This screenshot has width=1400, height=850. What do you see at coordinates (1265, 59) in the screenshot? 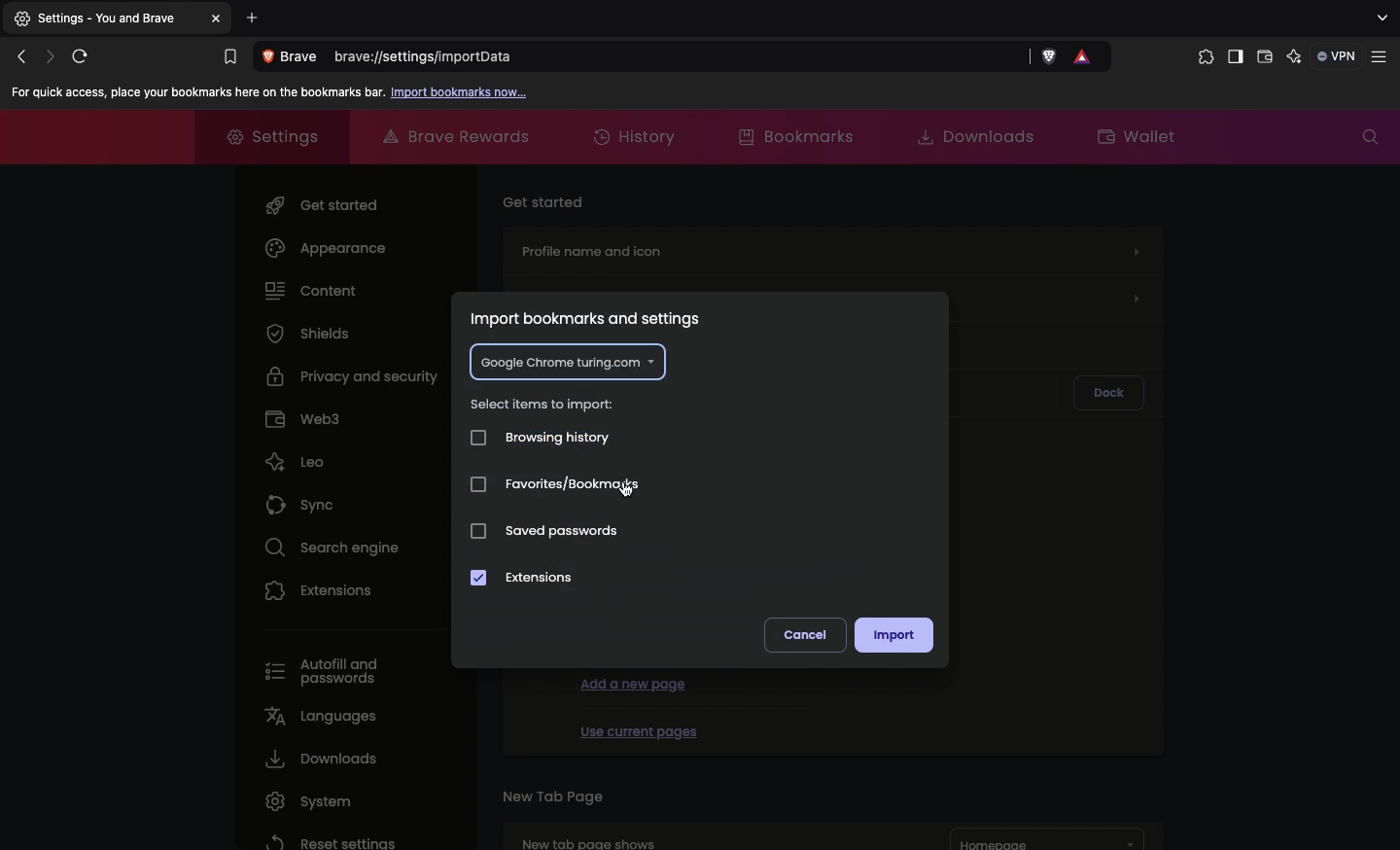
I see `Wallet` at bounding box center [1265, 59].